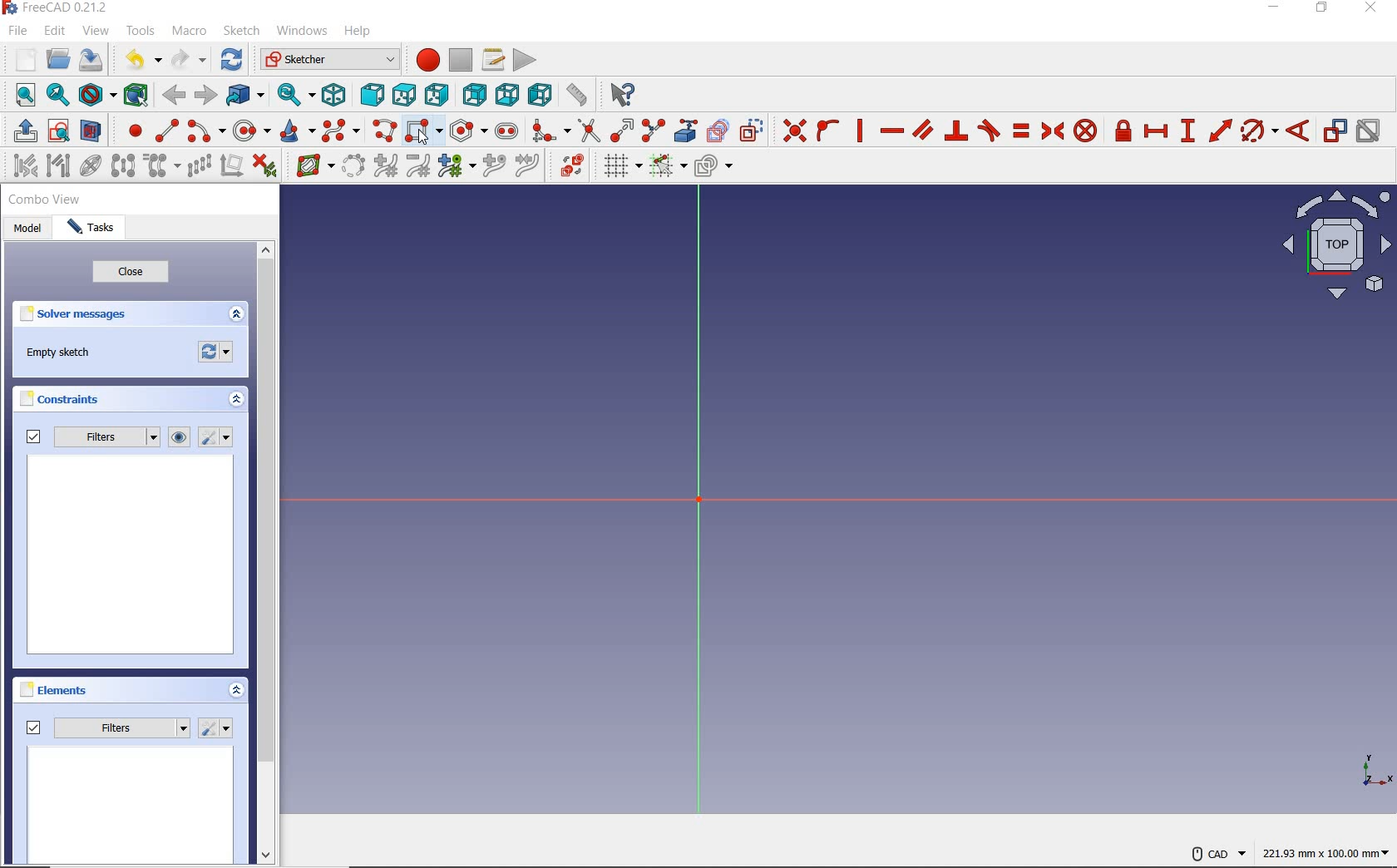  What do you see at coordinates (423, 131) in the screenshot?
I see `create rectangle` at bounding box center [423, 131].